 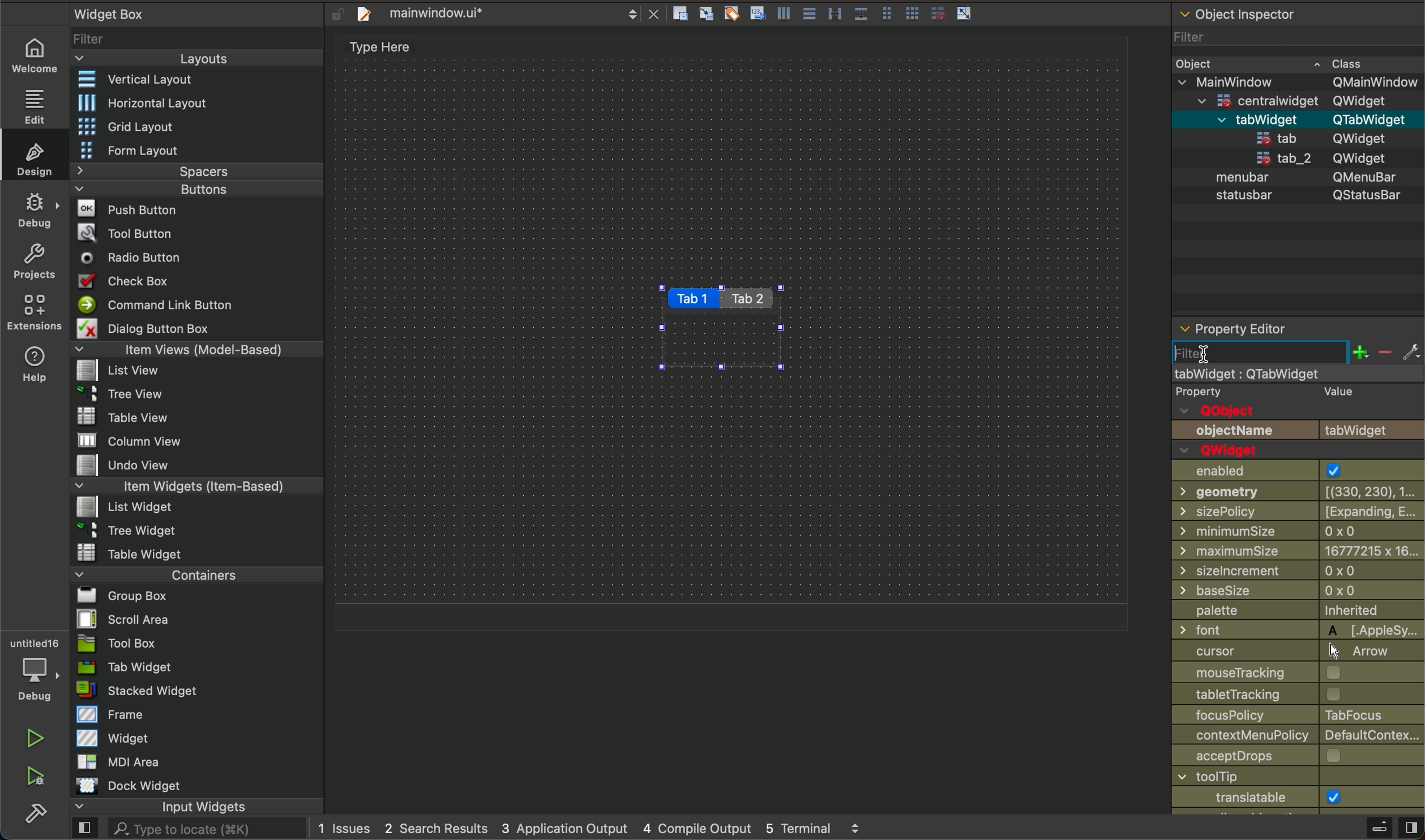 I want to click on Buttons, so click(x=196, y=188).